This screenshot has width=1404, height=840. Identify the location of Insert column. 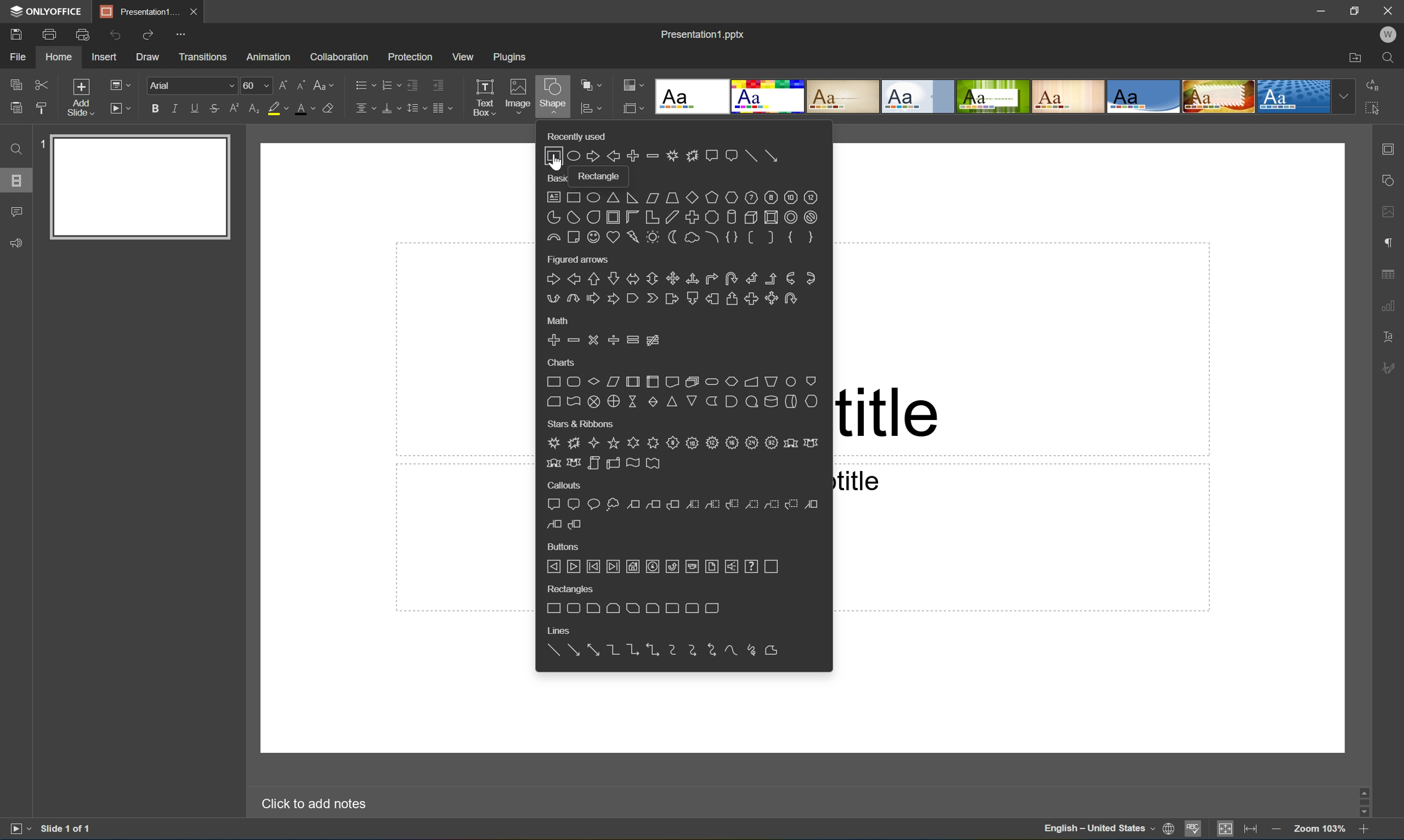
(446, 108).